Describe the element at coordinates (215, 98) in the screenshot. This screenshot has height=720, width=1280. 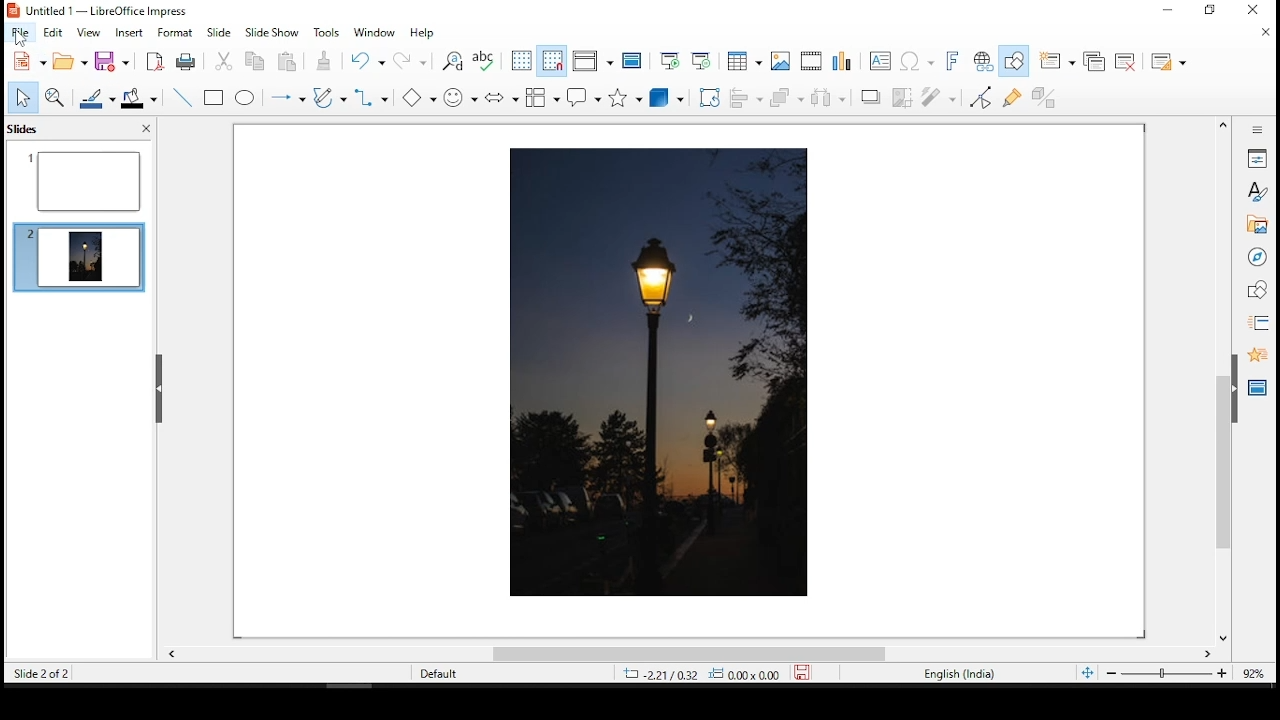
I see `rectangle` at that location.